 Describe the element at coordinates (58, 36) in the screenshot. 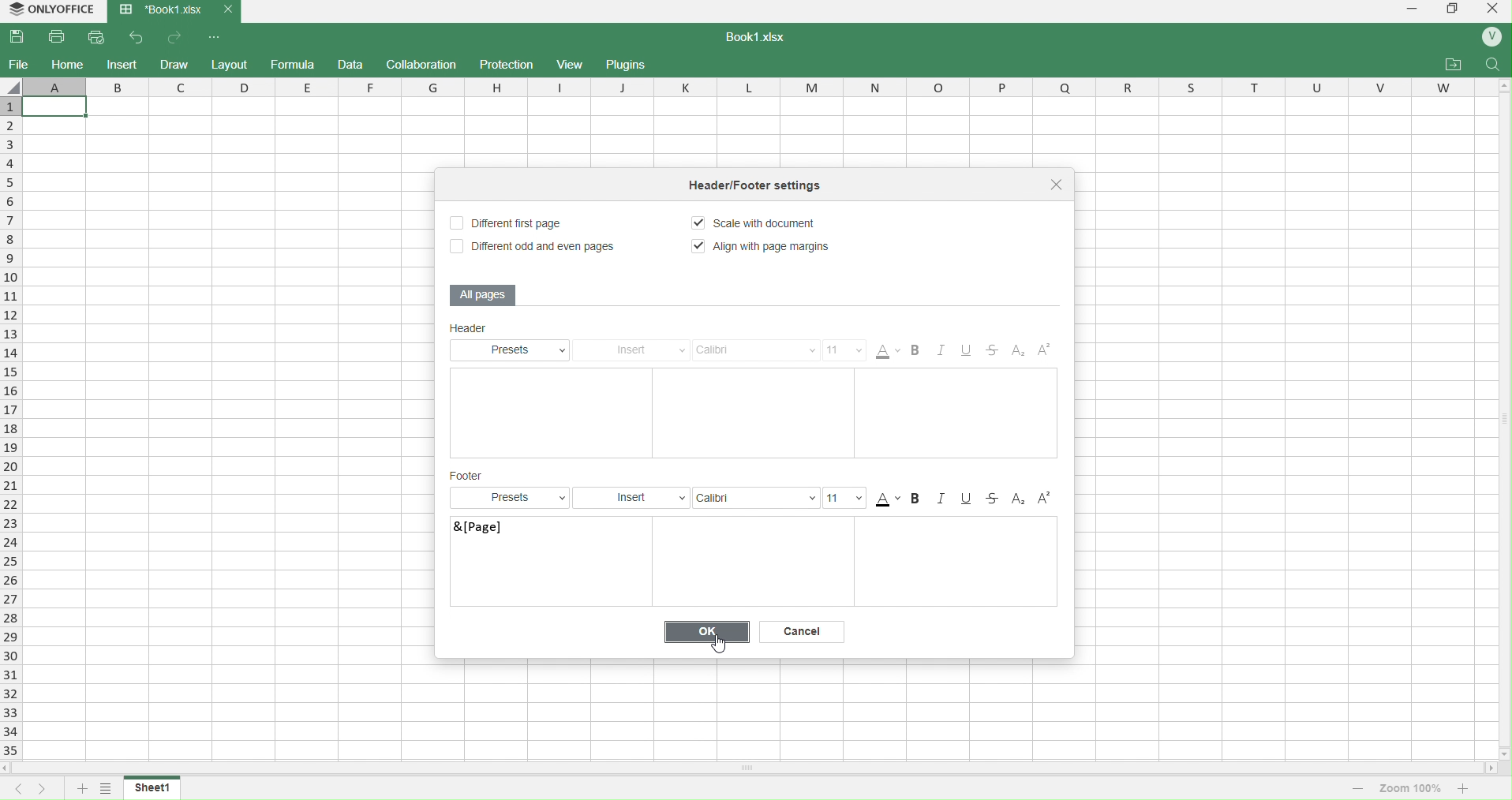

I see `print` at that location.